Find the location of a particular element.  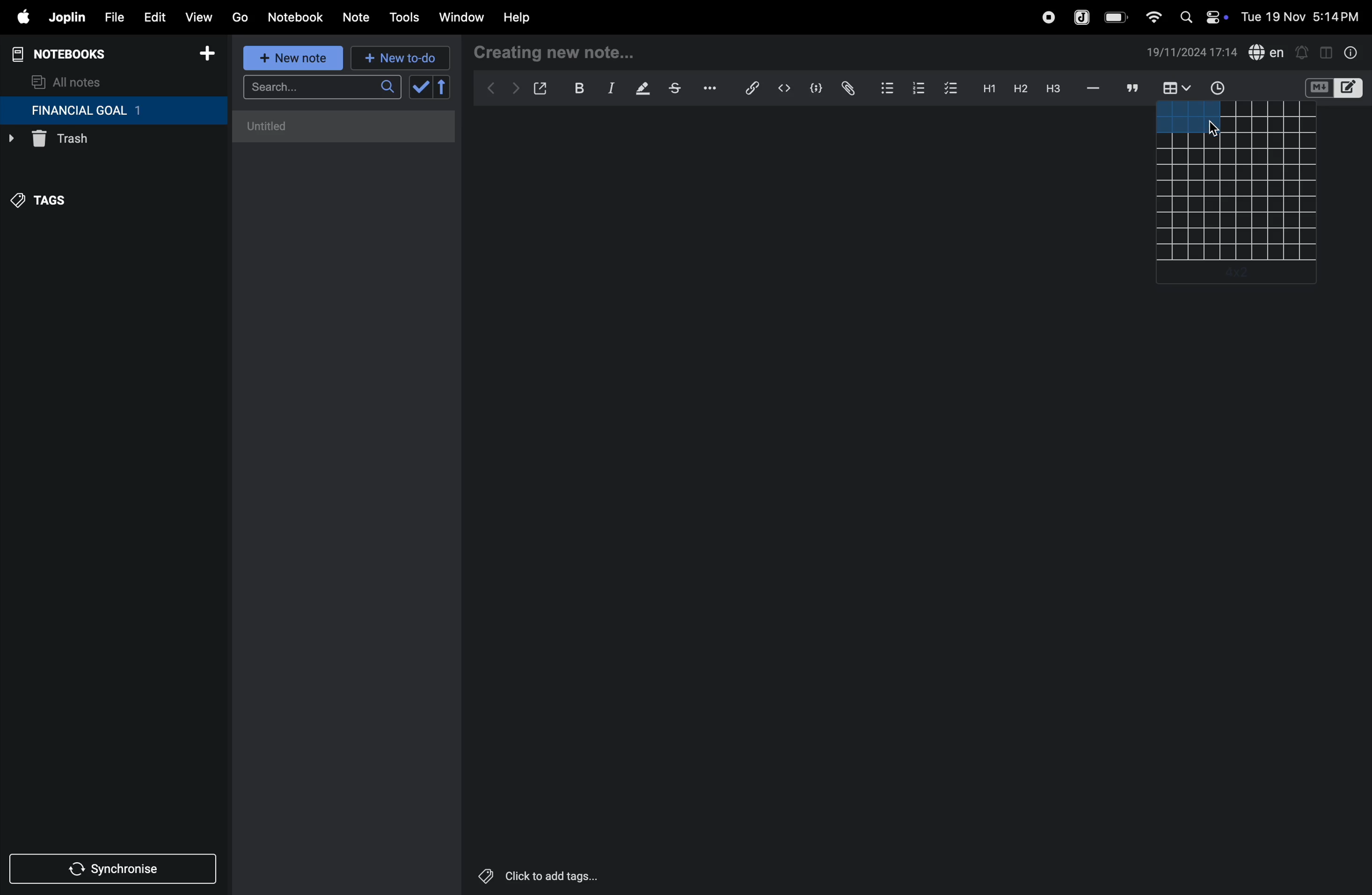

code block is located at coordinates (812, 88).